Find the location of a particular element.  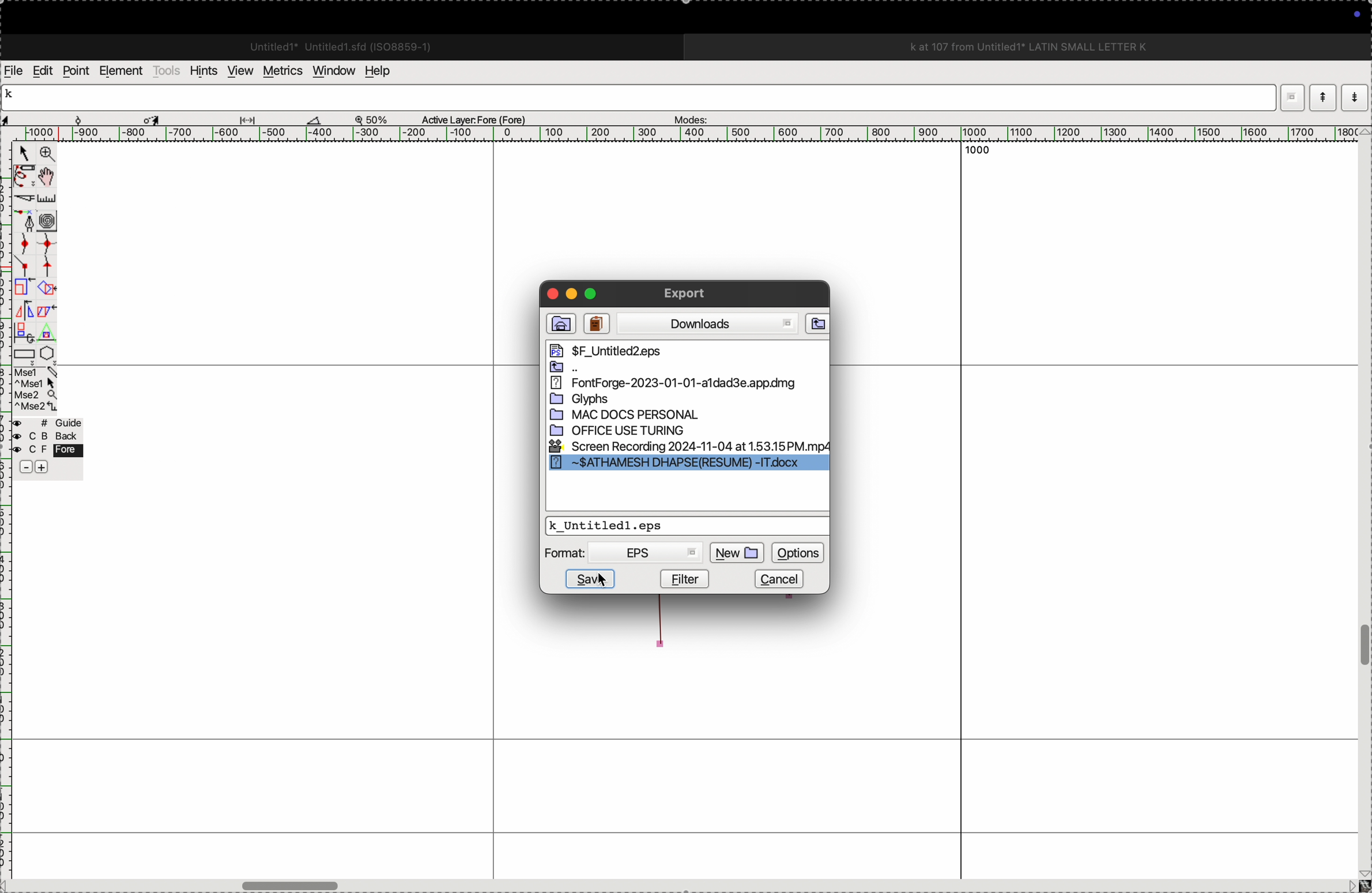

point is located at coordinates (76, 71).